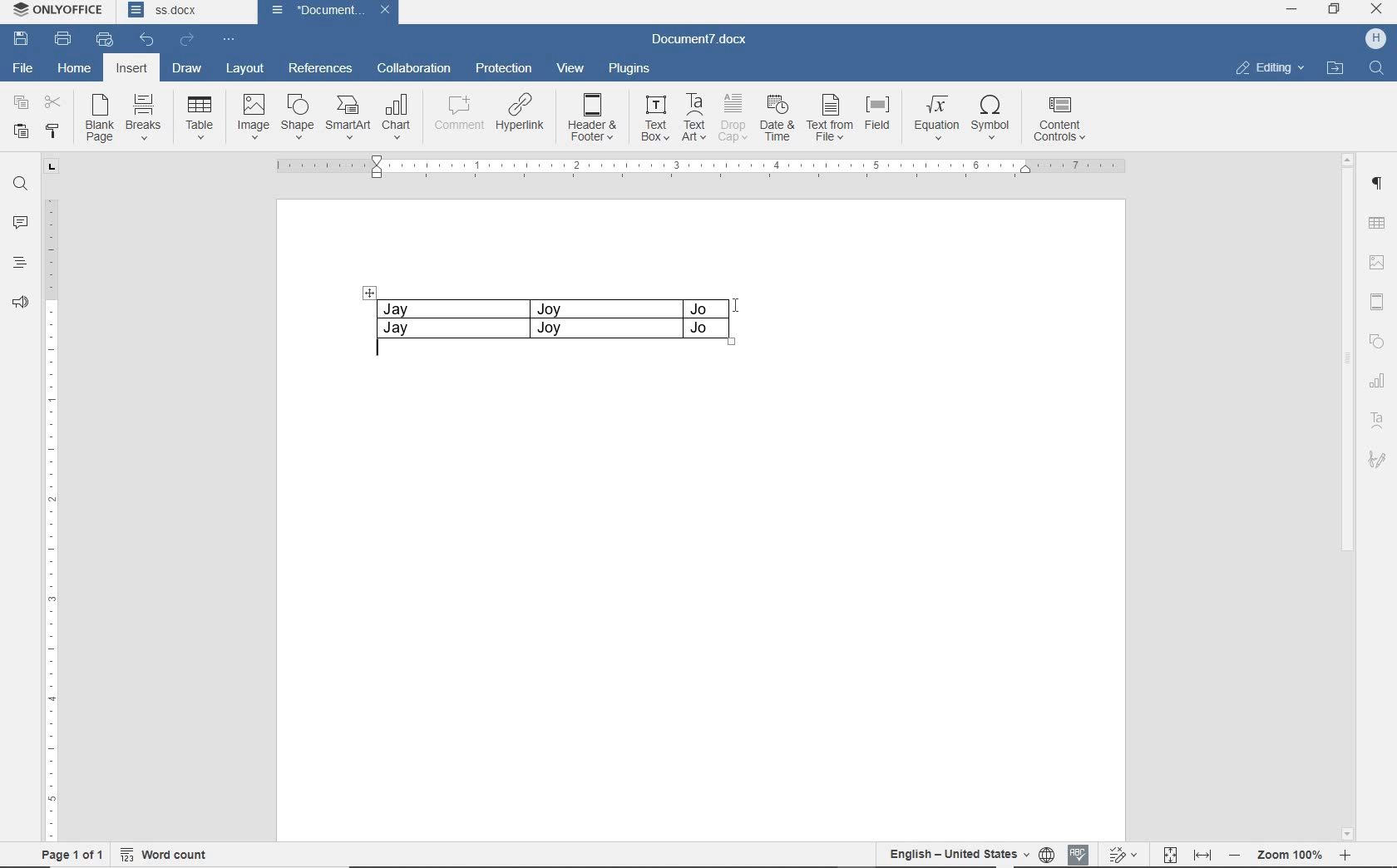 The width and height of the screenshot is (1397, 868). I want to click on IMAGE, so click(252, 116).